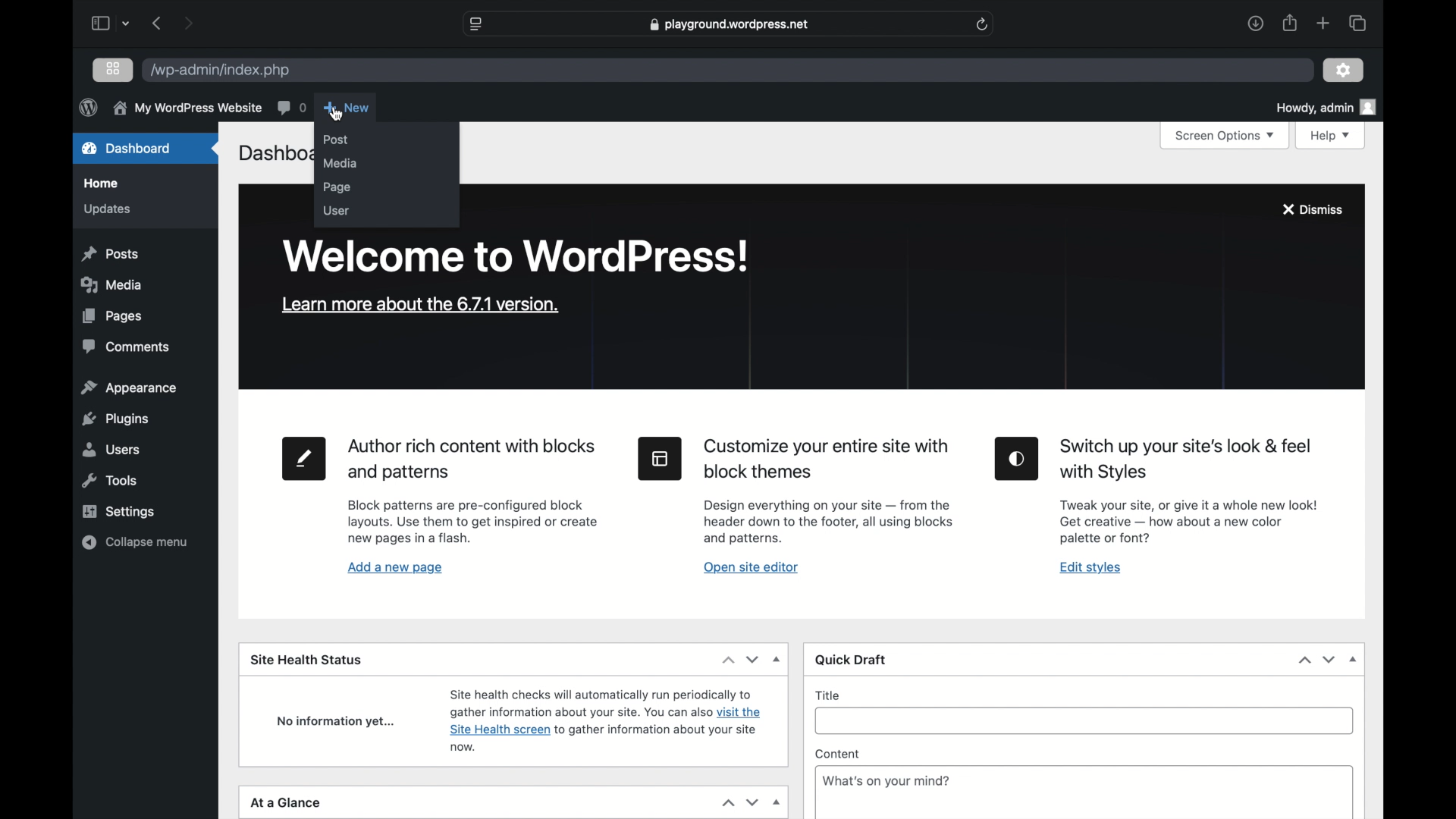 This screenshot has height=819, width=1456. What do you see at coordinates (983, 24) in the screenshot?
I see `refresh` at bounding box center [983, 24].